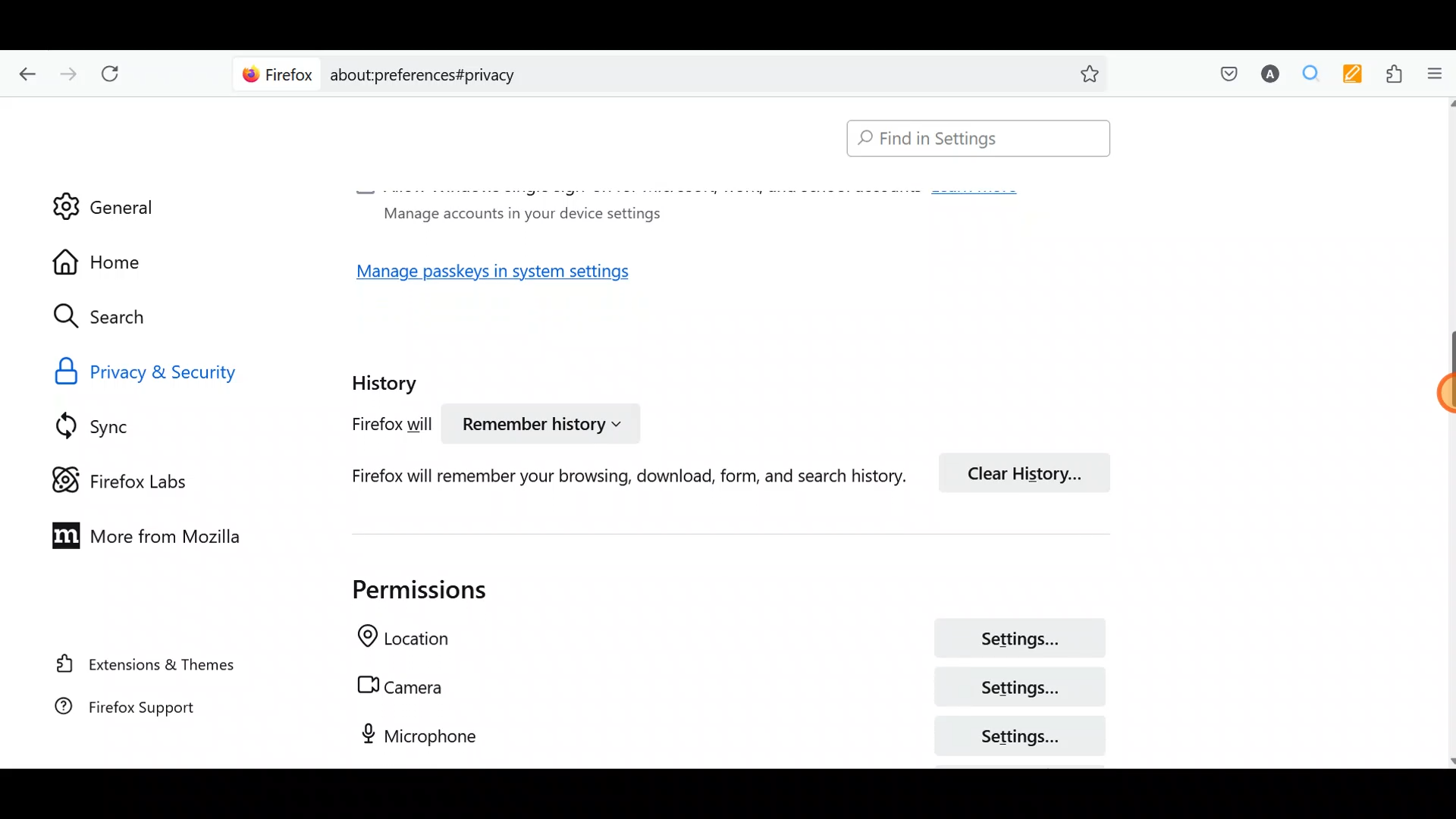 This screenshot has width=1456, height=819. I want to click on More from Mozilla, so click(139, 534).